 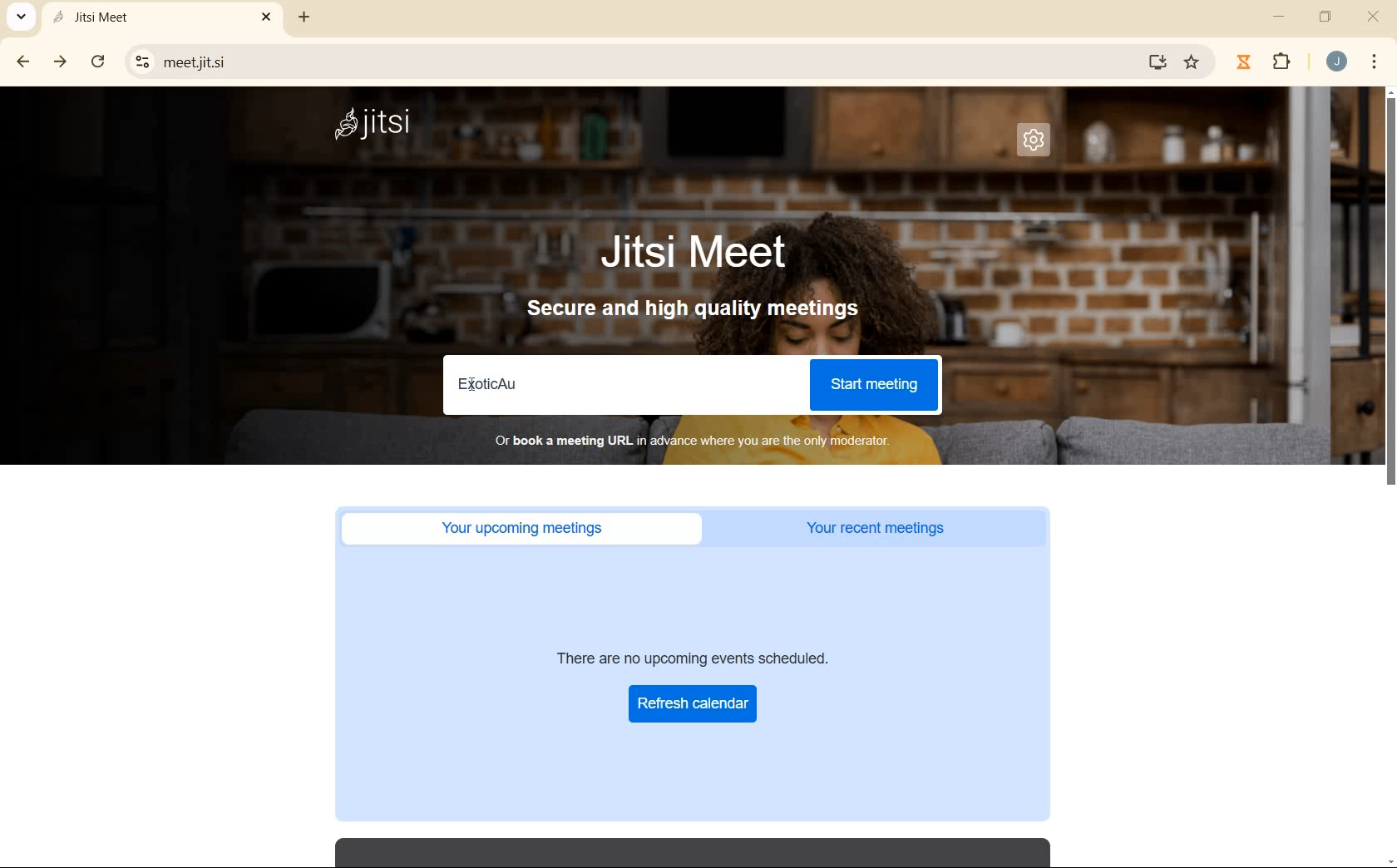 What do you see at coordinates (165, 17) in the screenshot?
I see `current open tan` at bounding box center [165, 17].